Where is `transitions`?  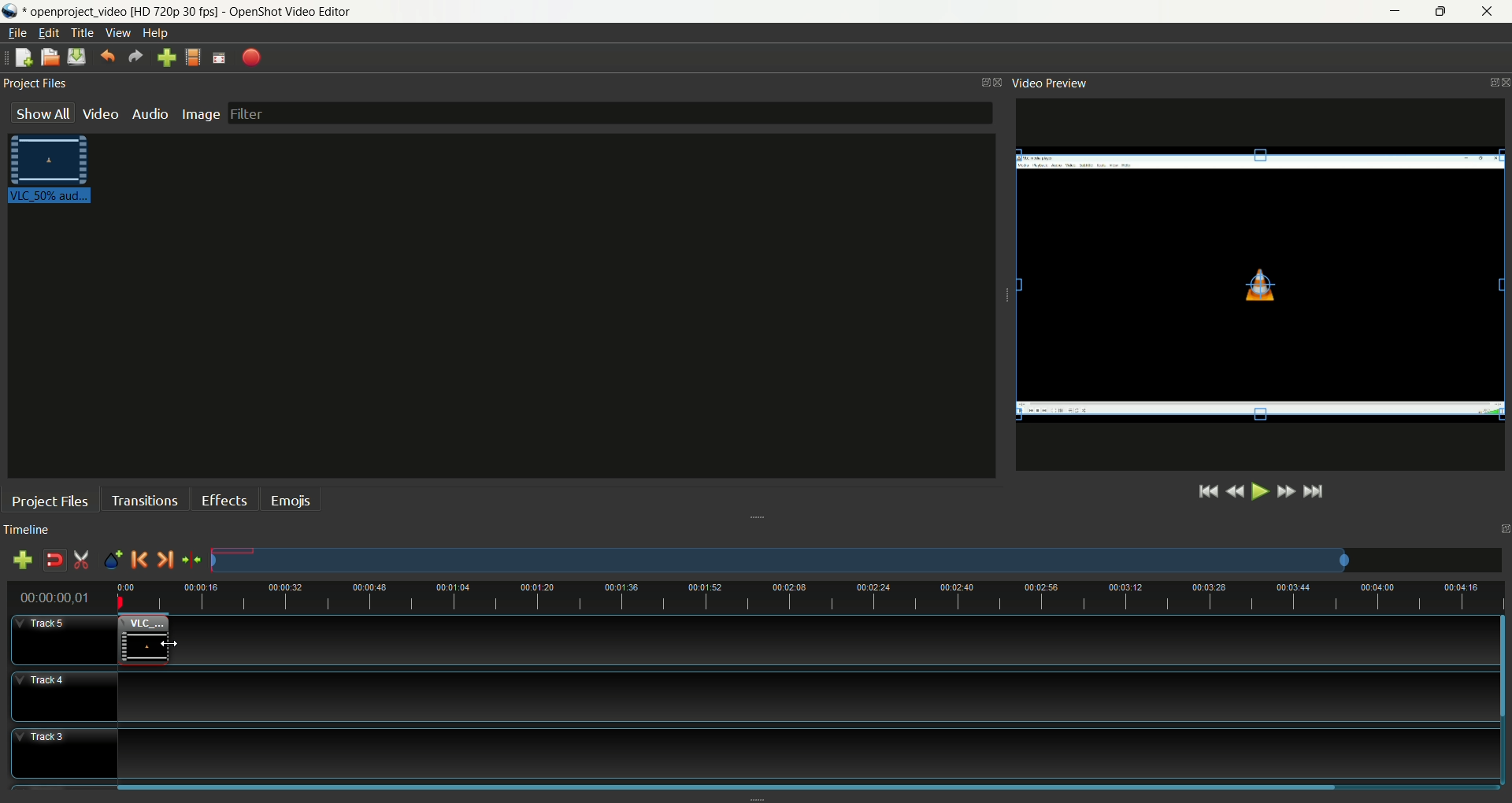 transitions is located at coordinates (145, 500).